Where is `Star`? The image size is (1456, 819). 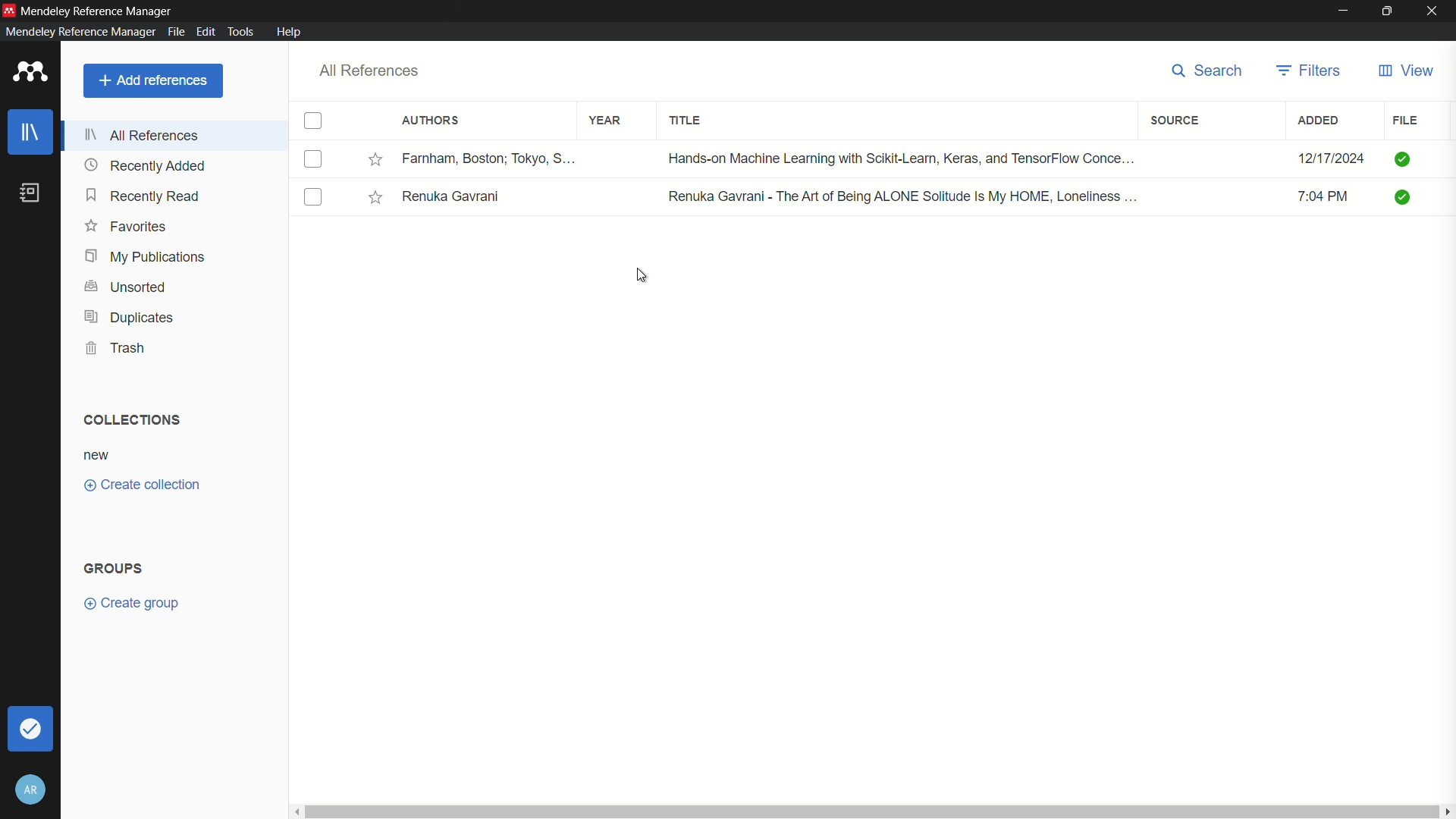
Star is located at coordinates (378, 199).